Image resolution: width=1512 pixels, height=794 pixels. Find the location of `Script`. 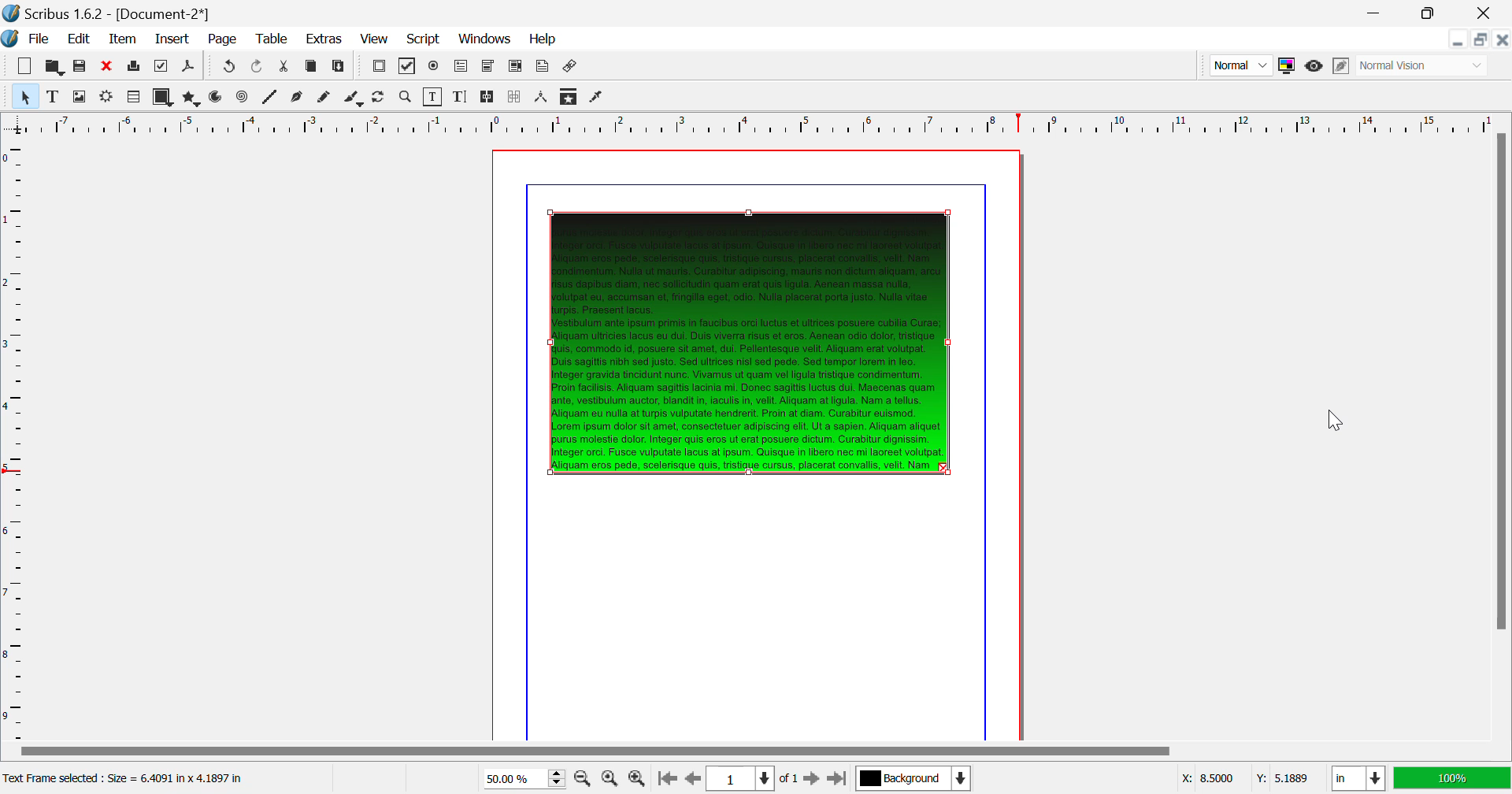

Script is located at coordinates (424, 38).